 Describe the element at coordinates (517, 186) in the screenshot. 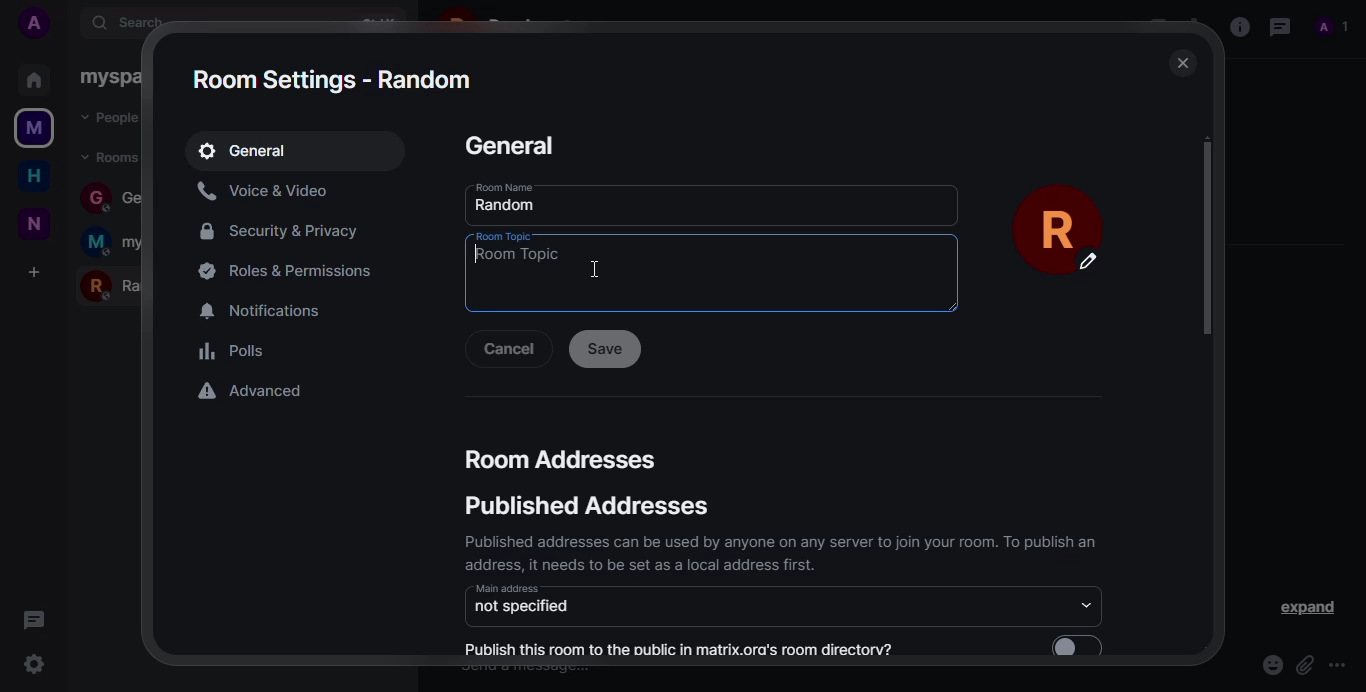

I see `room name` at that location.